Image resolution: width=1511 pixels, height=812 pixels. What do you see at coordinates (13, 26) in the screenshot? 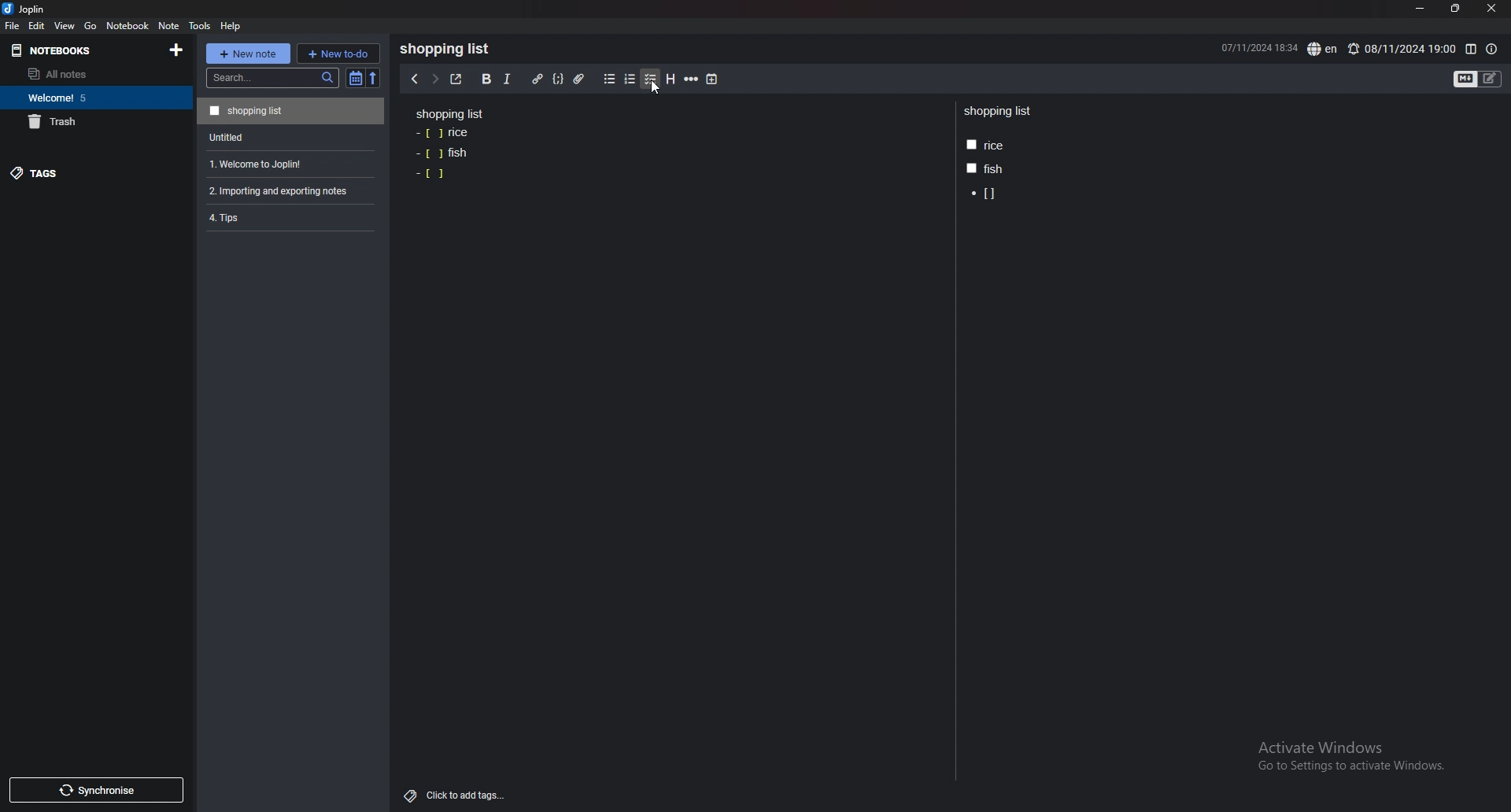
I see `file` at bounding box center [13, 26].